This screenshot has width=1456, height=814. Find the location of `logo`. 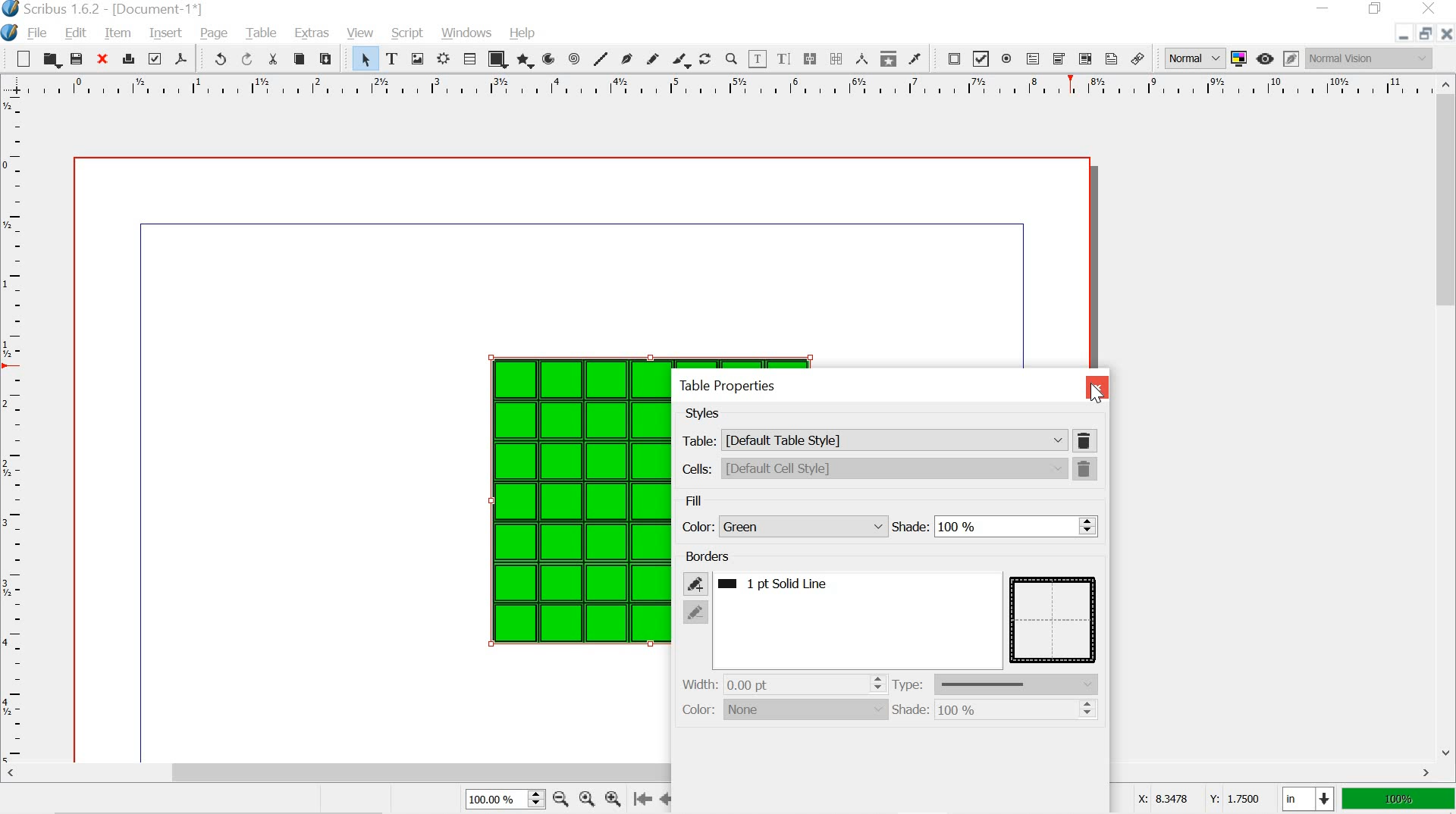

logo is located at coordinates (8, 33).